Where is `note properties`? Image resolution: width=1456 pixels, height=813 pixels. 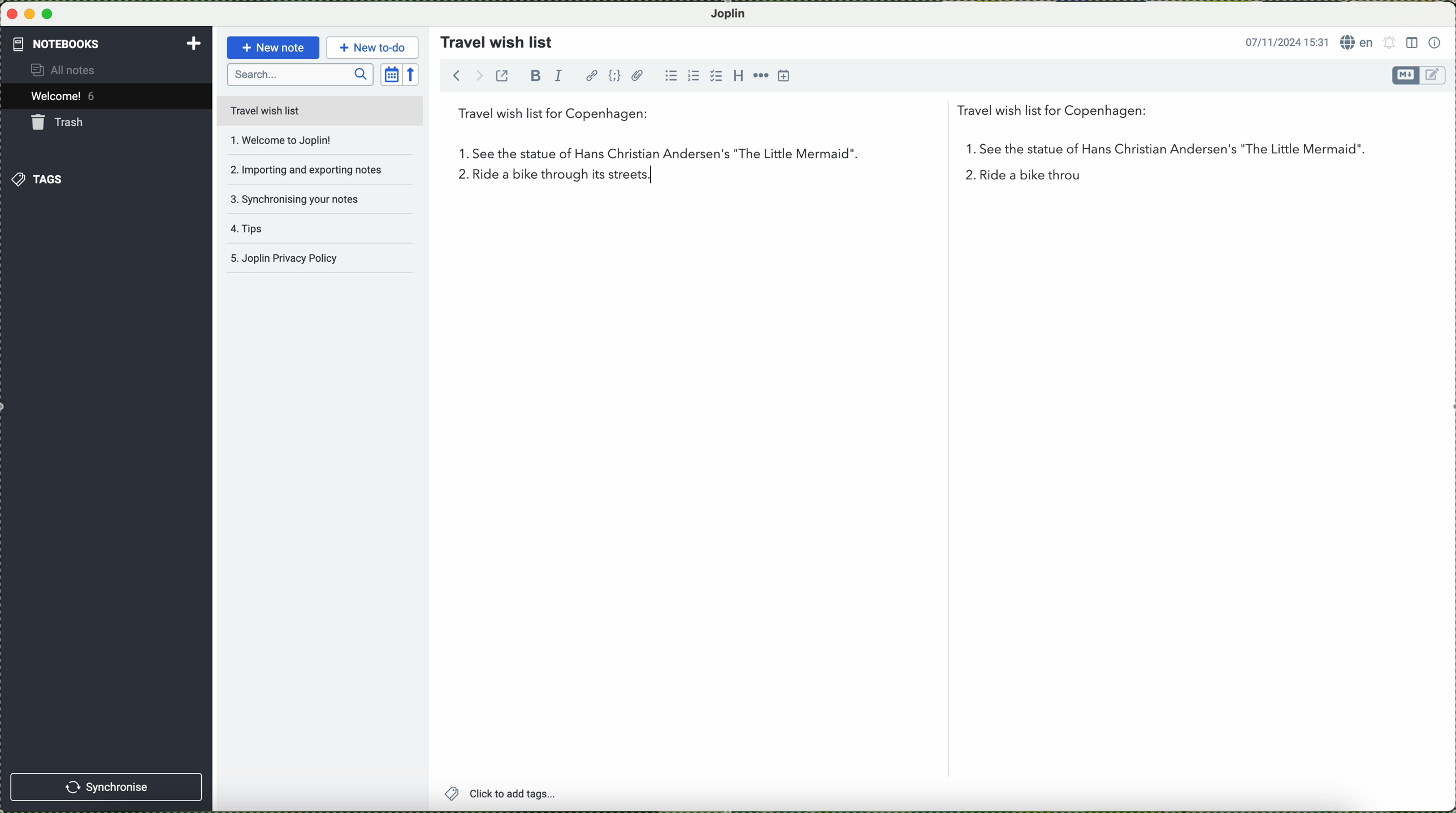
note properties is located at coordinates (1435, 41).